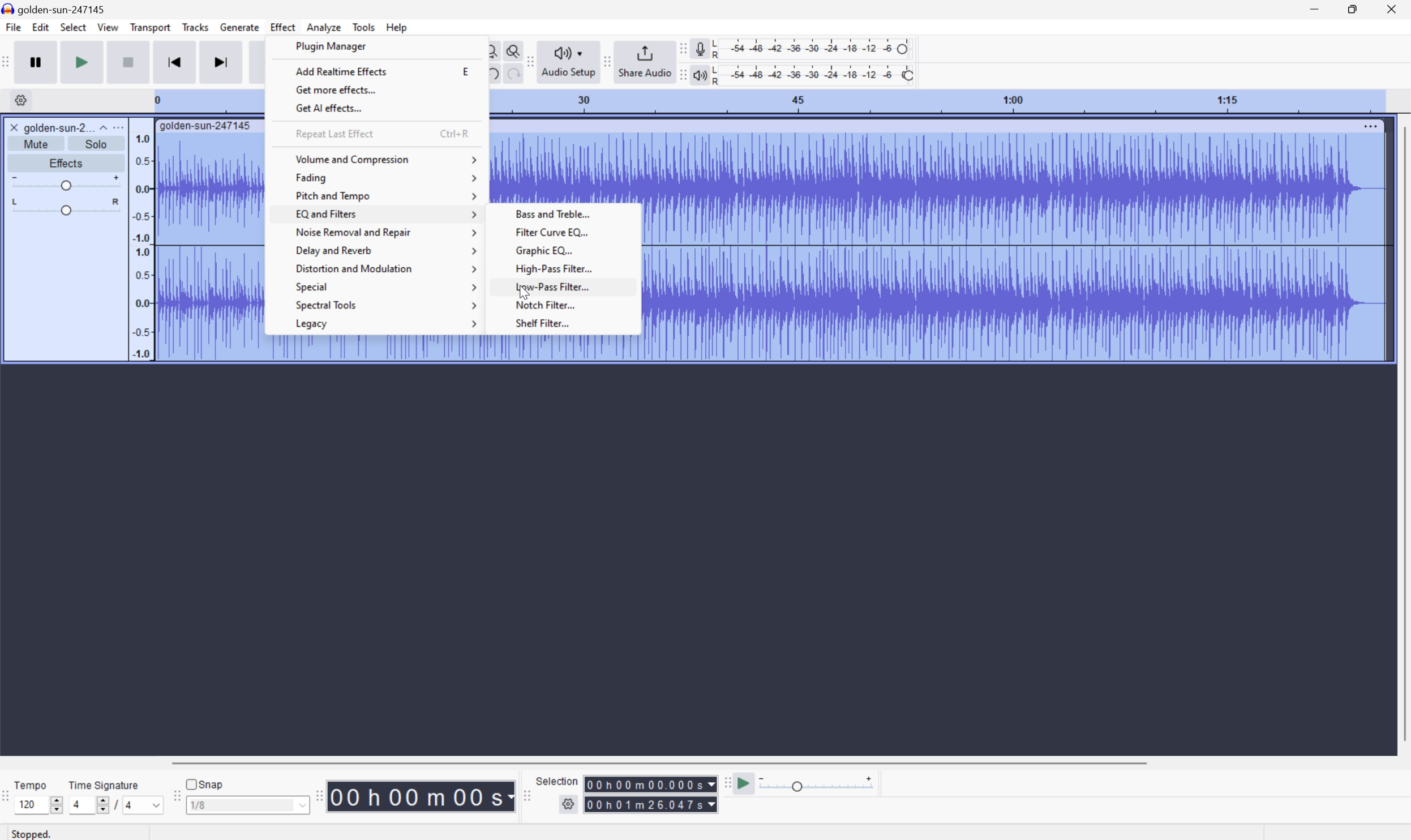 The image size is (1411, 840). Describe the element at coordinates (529, 62) in the screenshot. I see `Audacity audio setup toolbar` at that location.